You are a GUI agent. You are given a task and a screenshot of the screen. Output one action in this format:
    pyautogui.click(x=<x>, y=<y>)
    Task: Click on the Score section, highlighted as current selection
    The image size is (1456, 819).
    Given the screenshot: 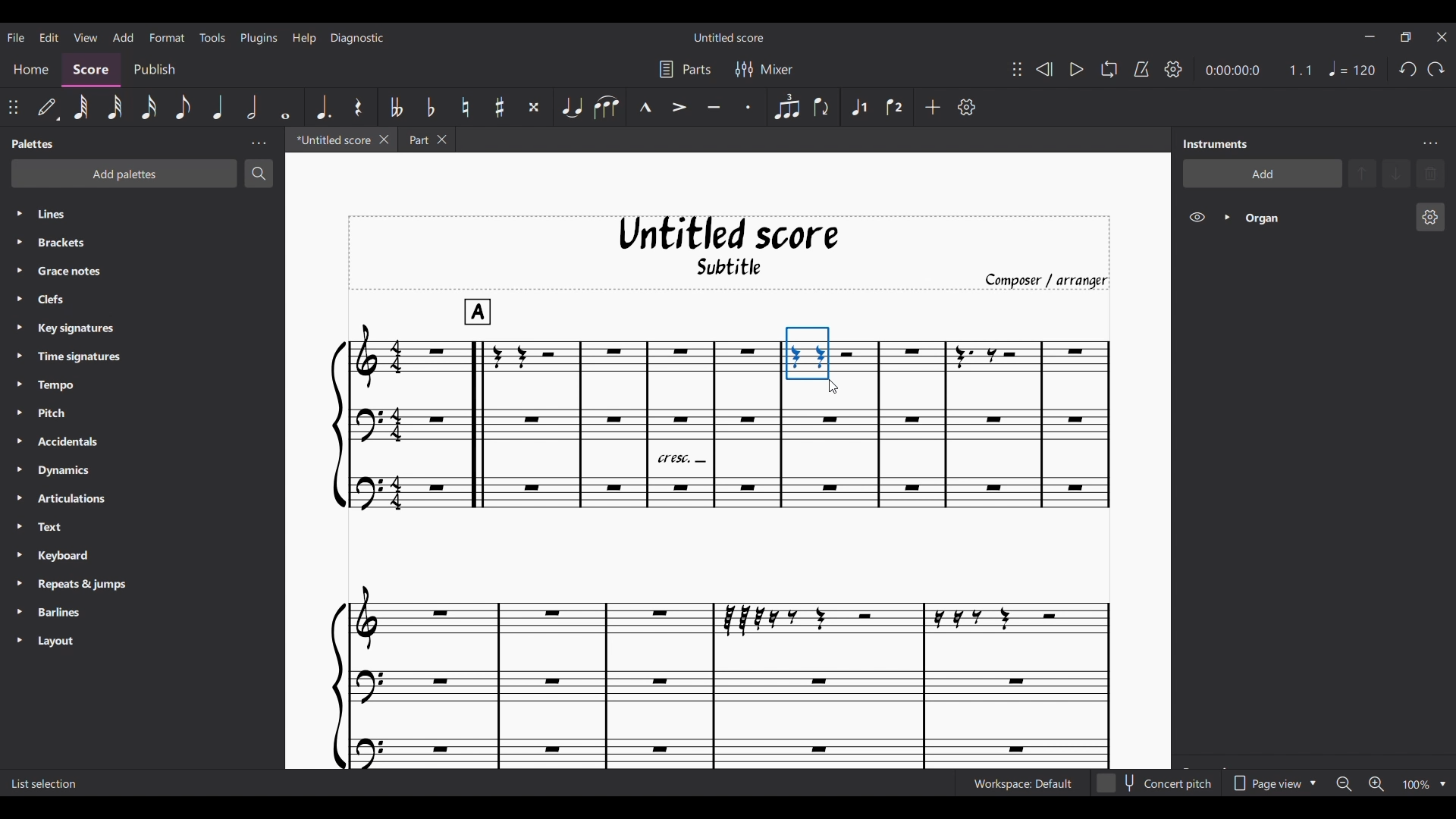 What is the action you would take?
    pyautogui.click(x=90, y=70)
    